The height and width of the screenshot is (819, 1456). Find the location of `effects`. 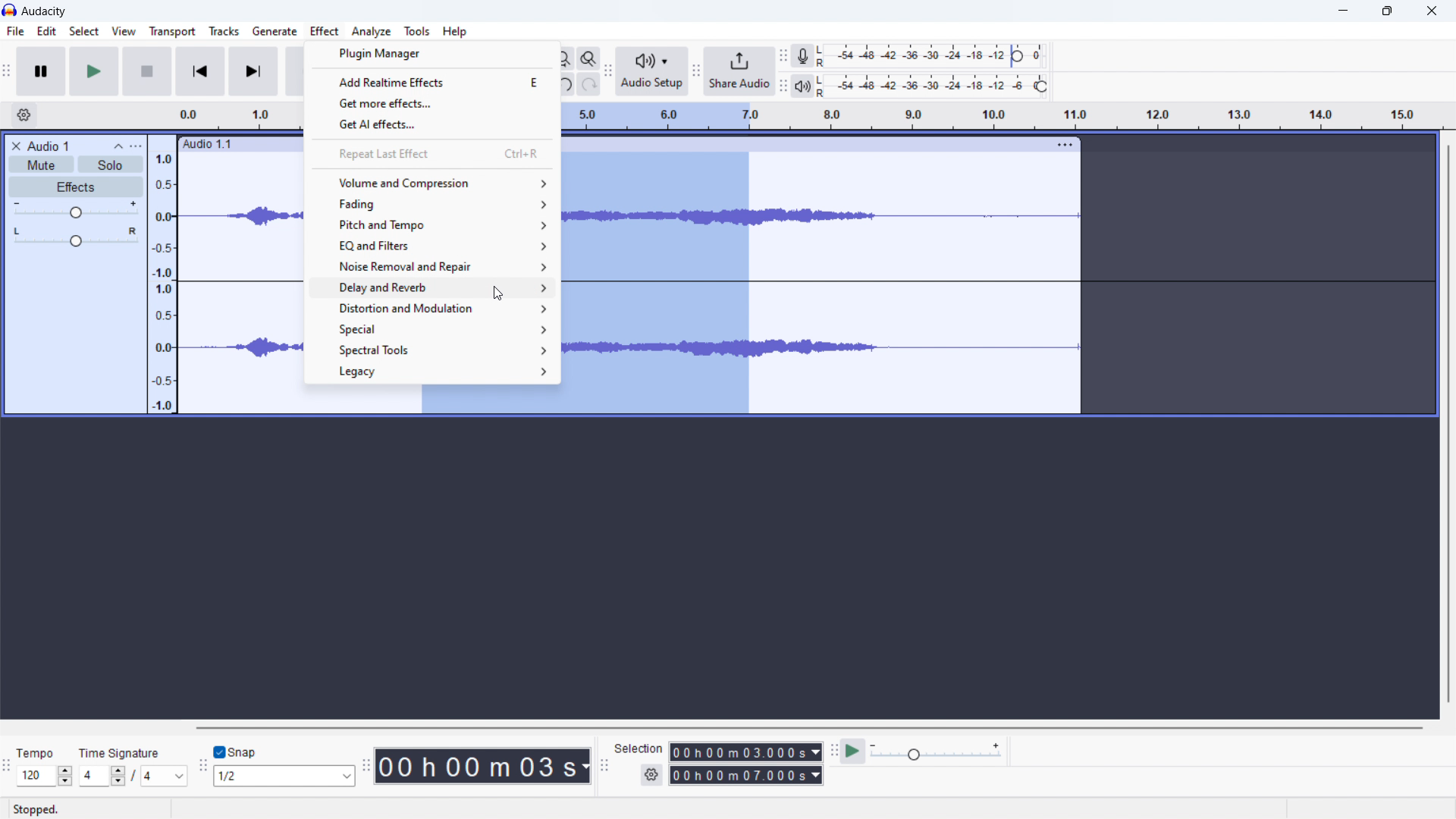

effects is located at coordinates (75, 187).